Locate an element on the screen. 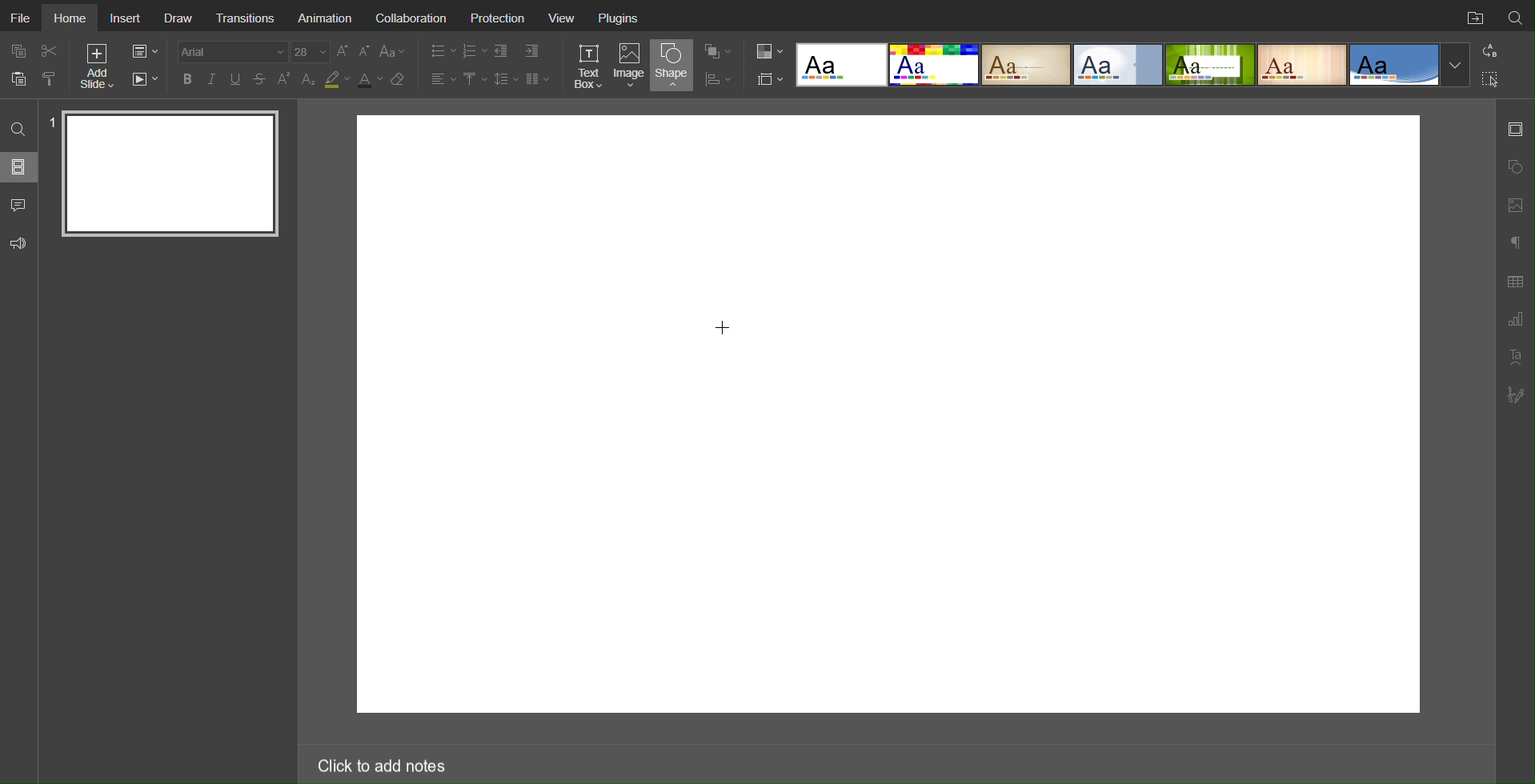  Text Color is located at coordinates (369, 80).